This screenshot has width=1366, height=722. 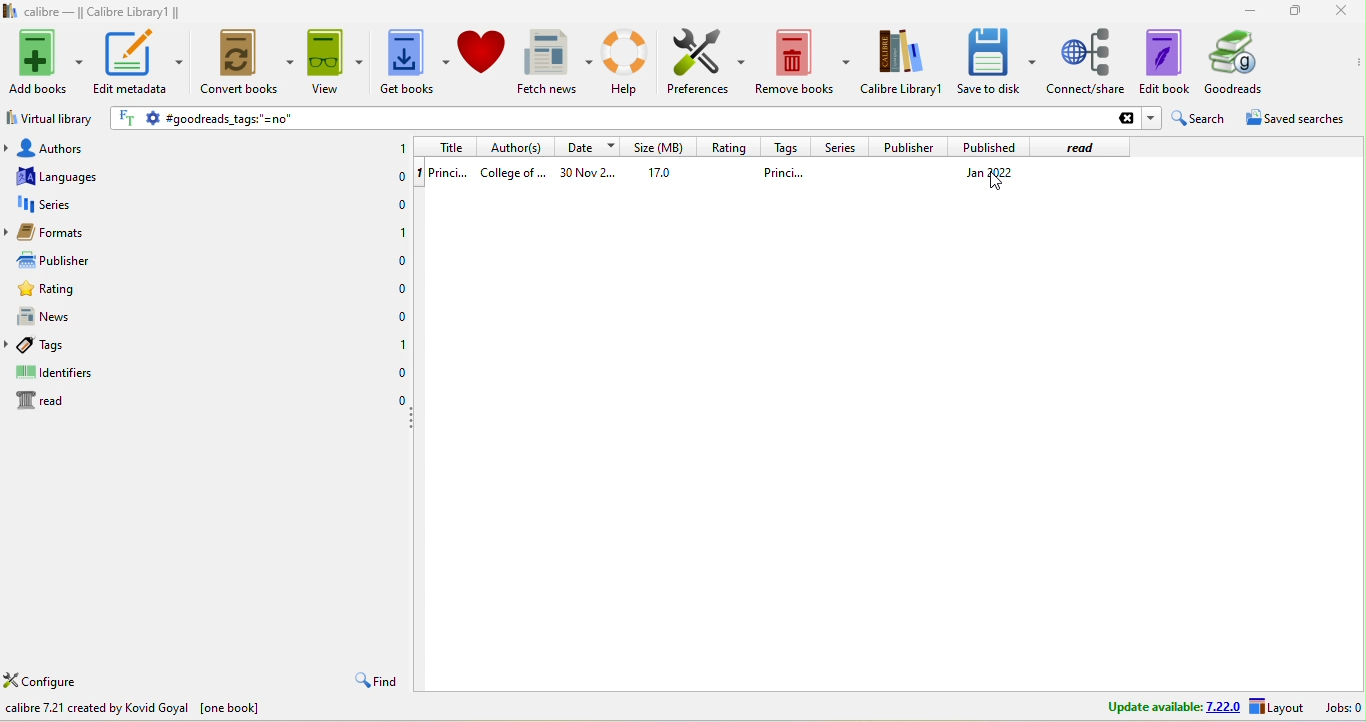 What do you see at coordinates (397, 205) in the screenshot?
I see `0` at bounding box center [397, 205].